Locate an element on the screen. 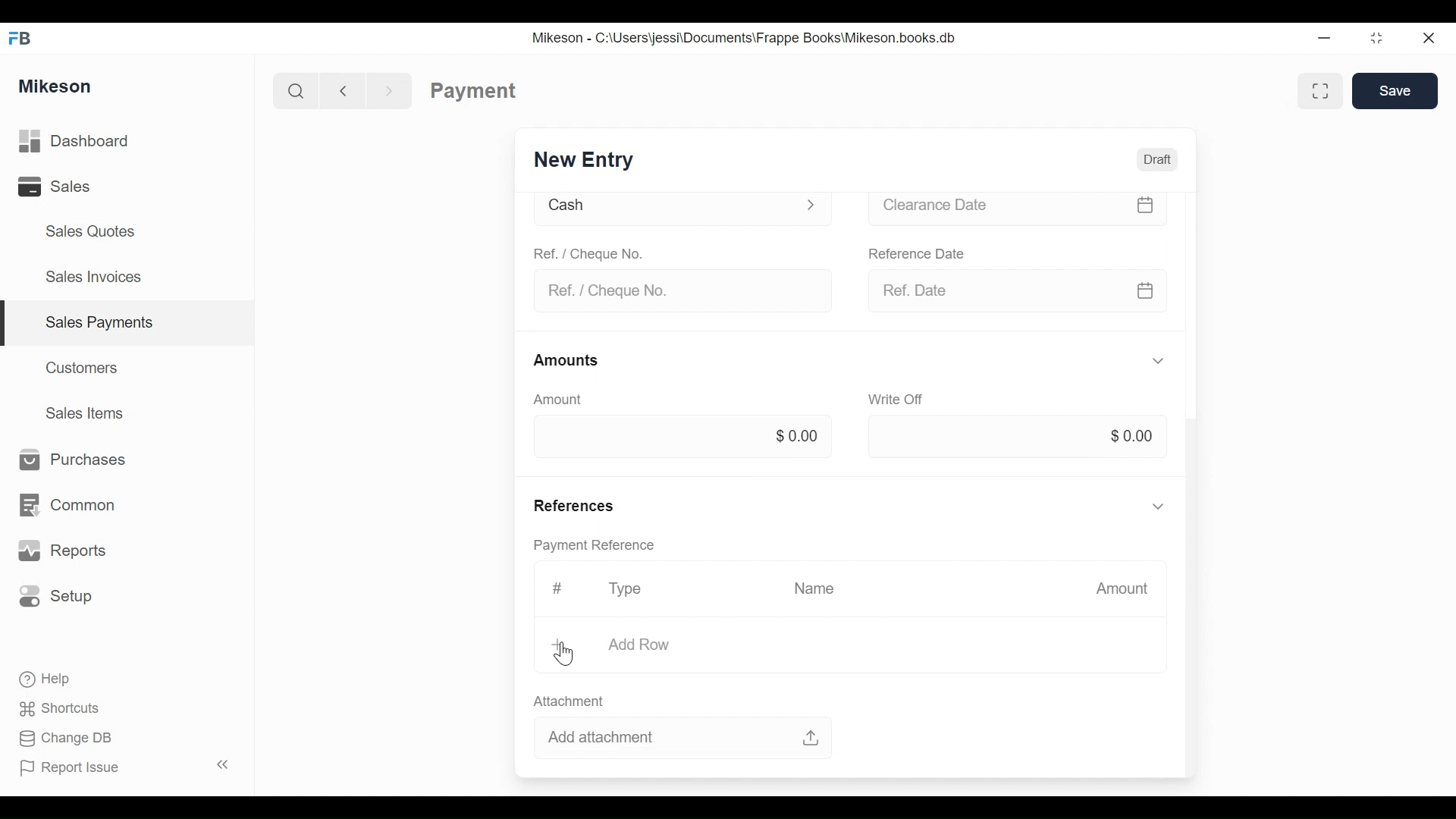 This screenshot has width=1456, height=819. Full width toggle is located at coordinates (1318, 92).